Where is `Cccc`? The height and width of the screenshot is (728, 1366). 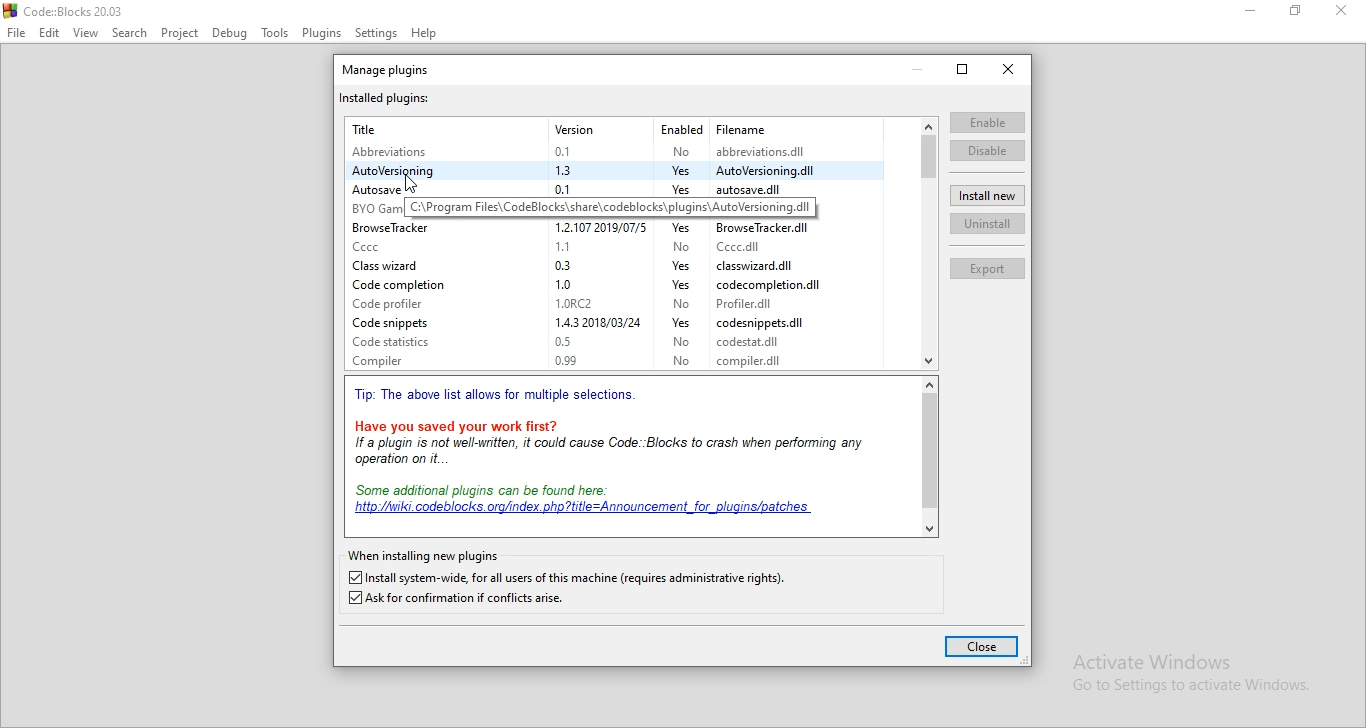
Cccc is located at coordinates (399, 246).